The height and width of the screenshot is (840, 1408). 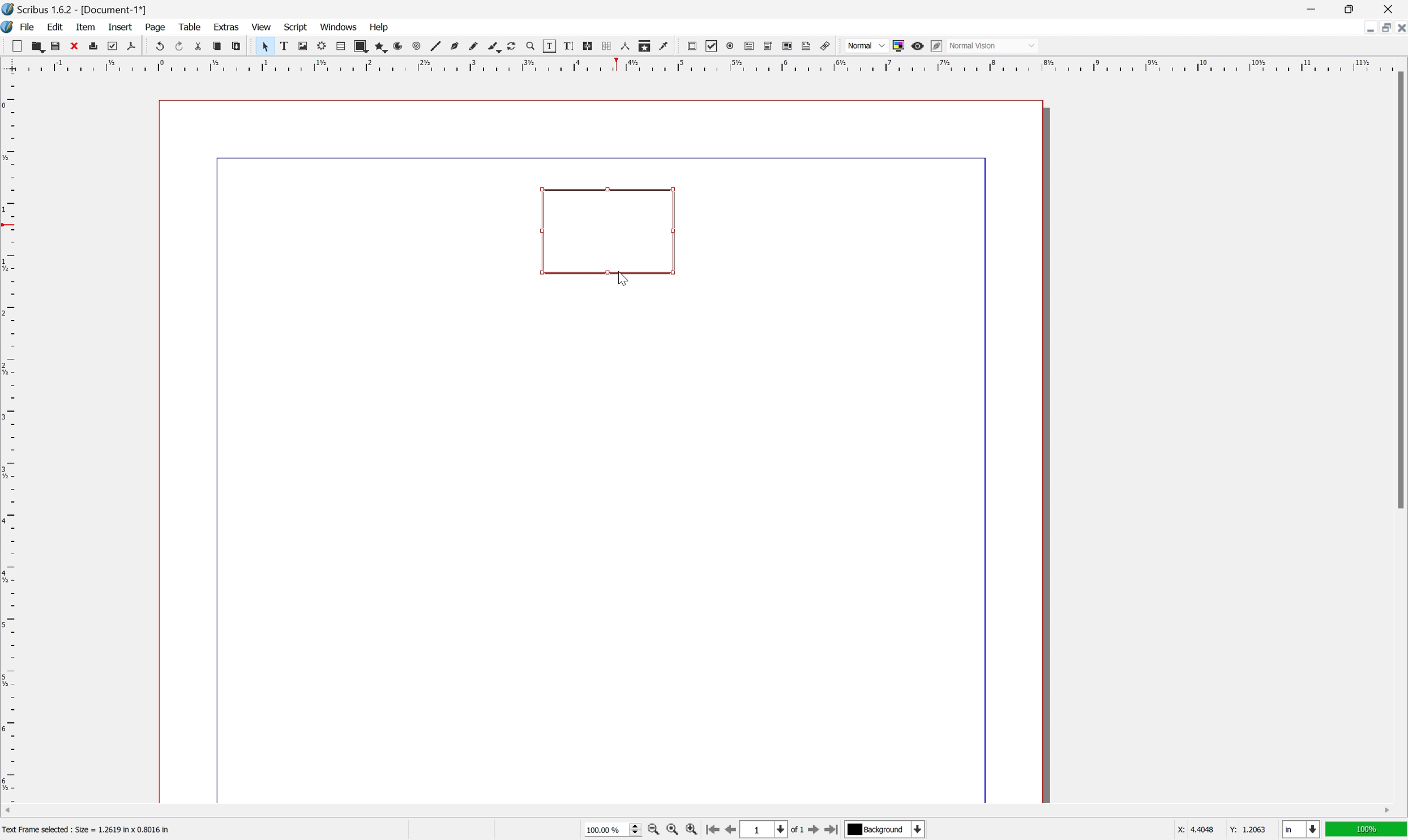 What do you see at coordinates (74, 45) in the screenshot?
I see `cut` at bounding box center [74, 45].